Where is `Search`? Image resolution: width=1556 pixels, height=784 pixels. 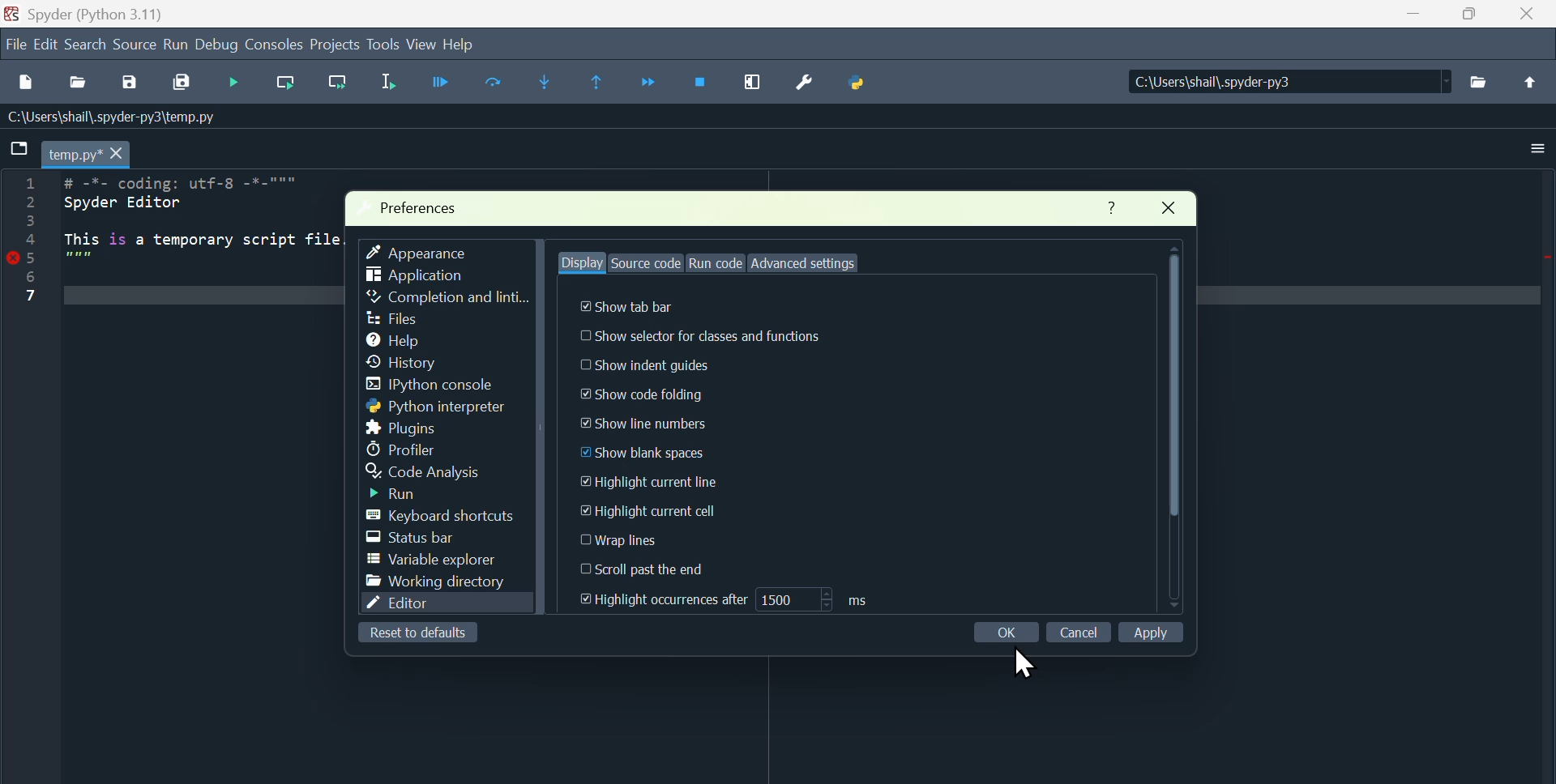 Search is located at coordinates (88, 46).